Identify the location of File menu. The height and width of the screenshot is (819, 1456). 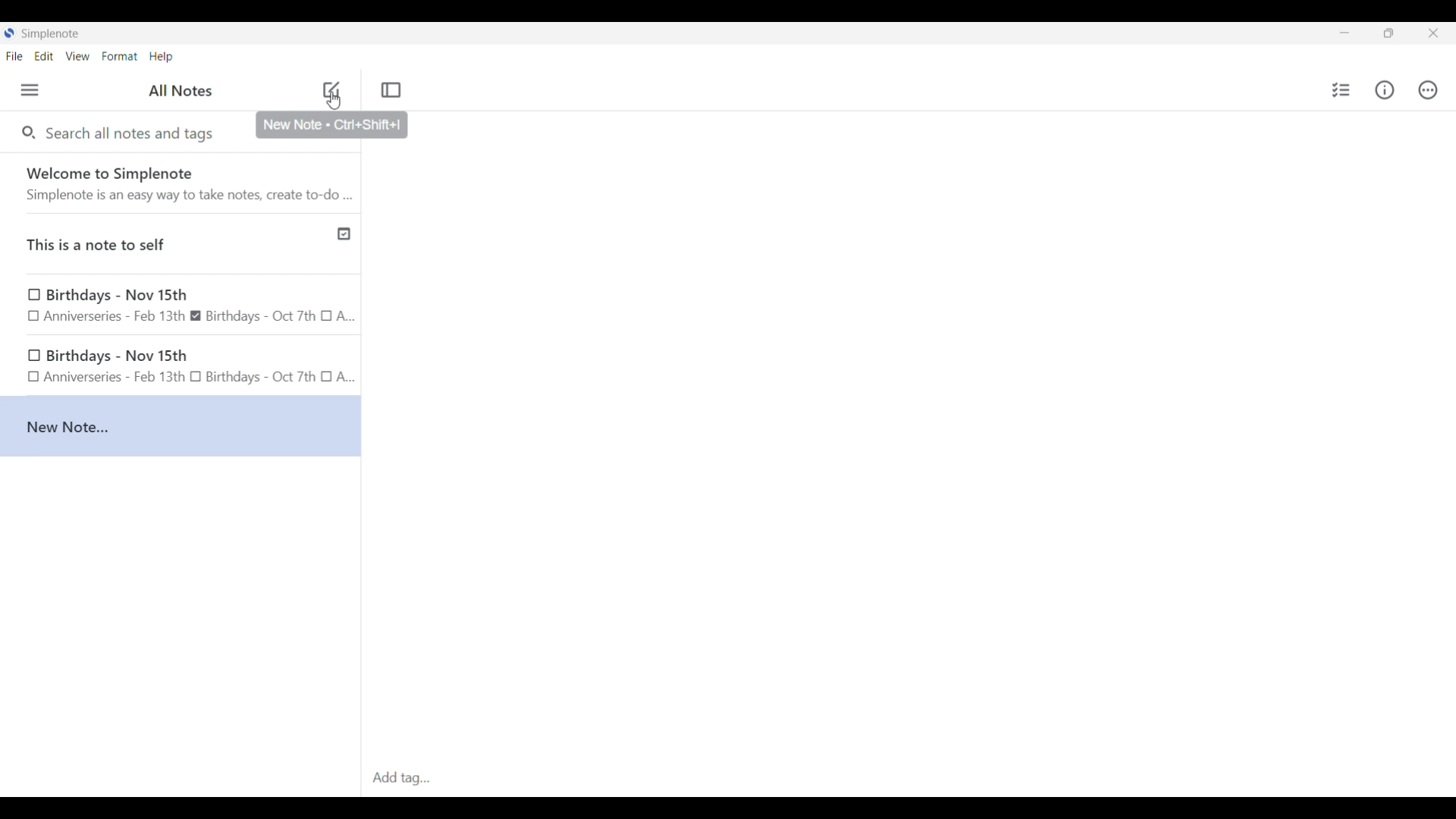
(14, 55).